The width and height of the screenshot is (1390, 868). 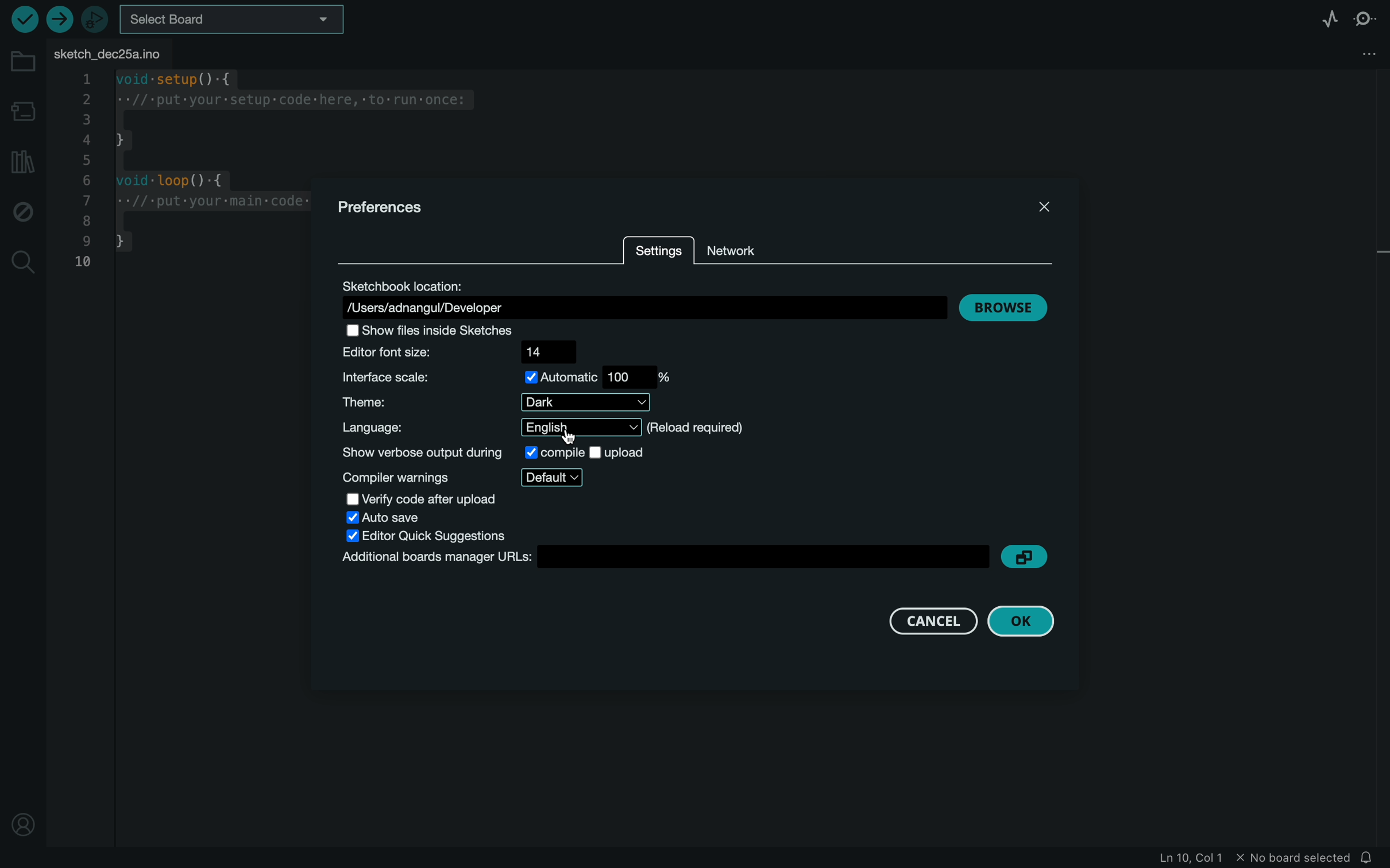 I want to click on board  selecter, so click(x=234, y=21).